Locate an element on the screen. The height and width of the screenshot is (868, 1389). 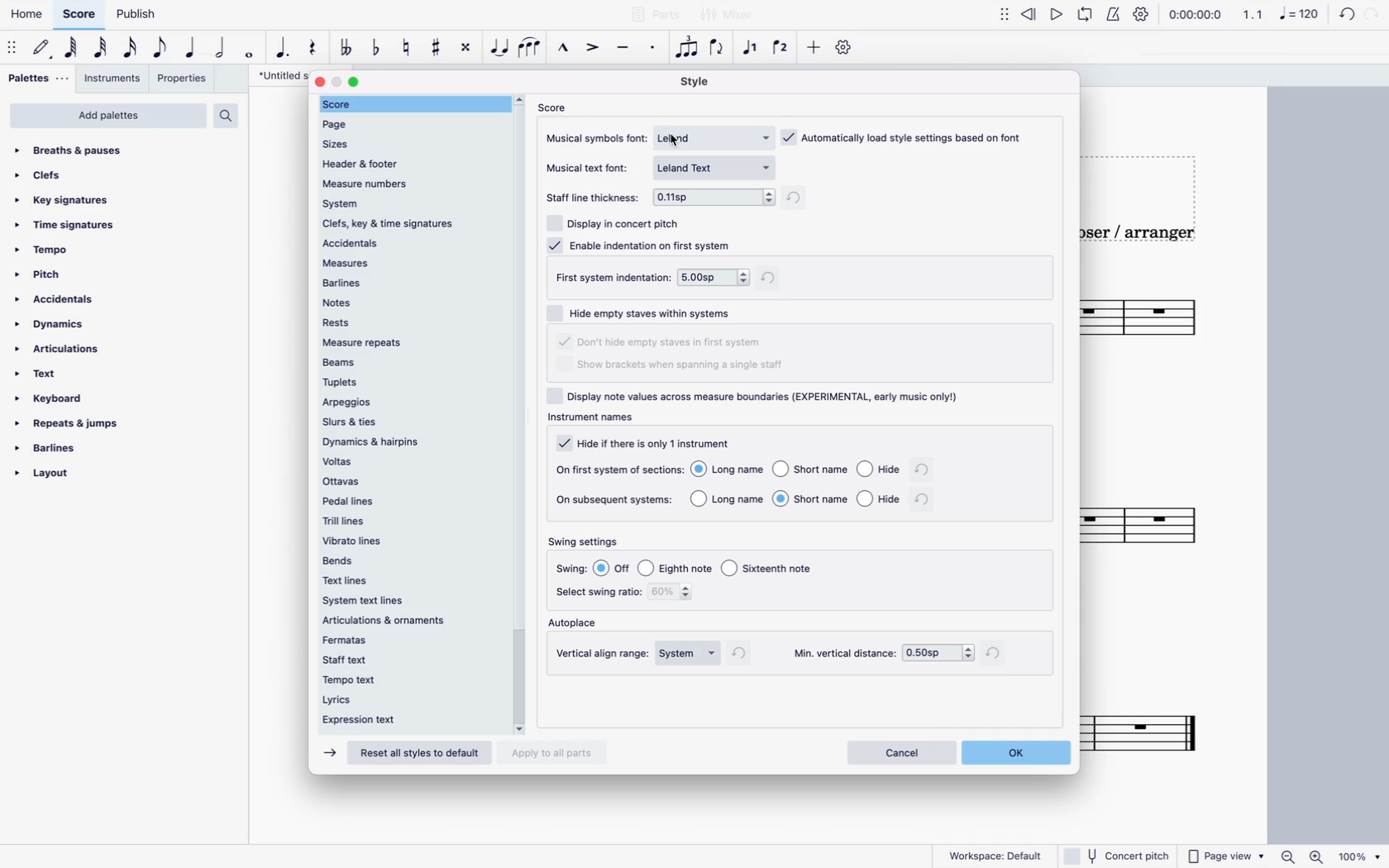
back is located at coordinates (1030, 11).